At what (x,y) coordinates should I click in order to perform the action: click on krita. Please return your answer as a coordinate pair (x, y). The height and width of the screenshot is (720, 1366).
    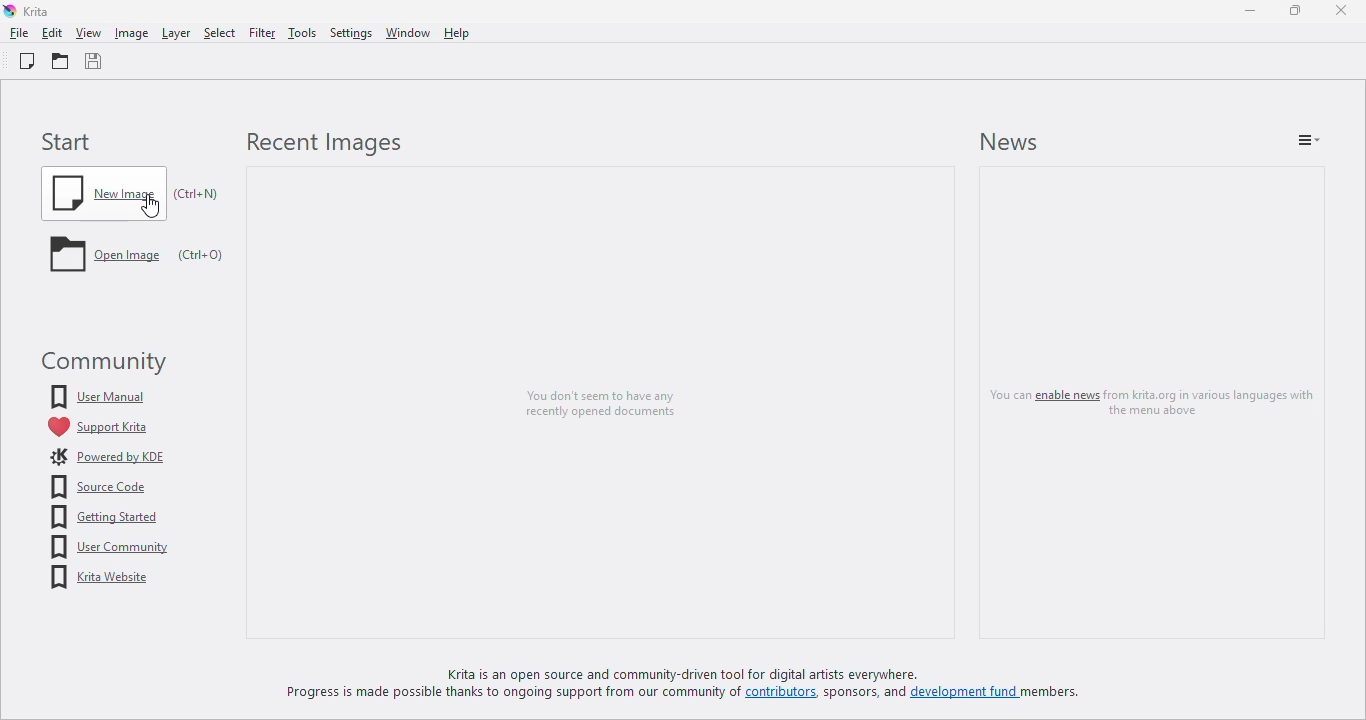
    Looking at the image, I should click on (38, 11).